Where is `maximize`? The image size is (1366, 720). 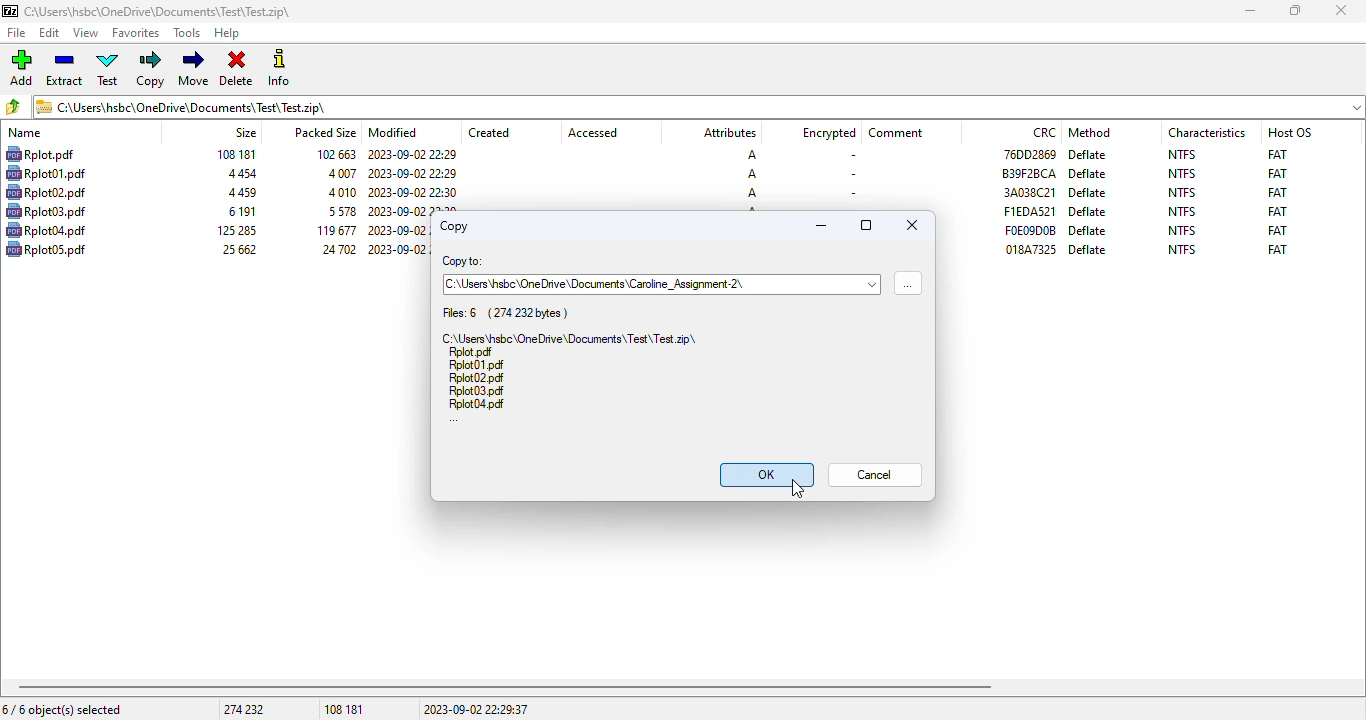
maximize is located at coordinates (867, 225).